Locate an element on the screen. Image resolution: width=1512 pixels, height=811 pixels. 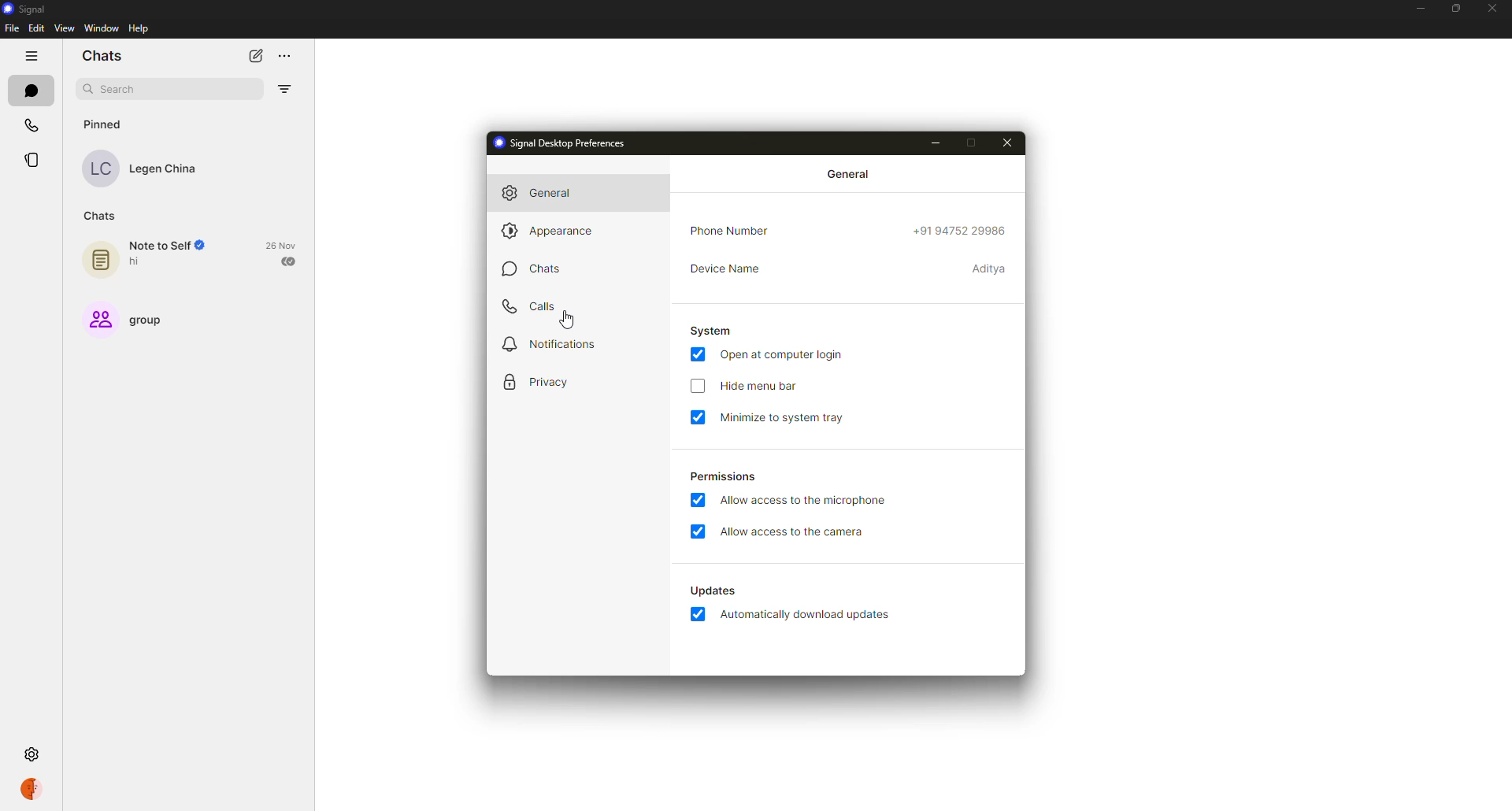
chats is located at coordinates (102, 214).